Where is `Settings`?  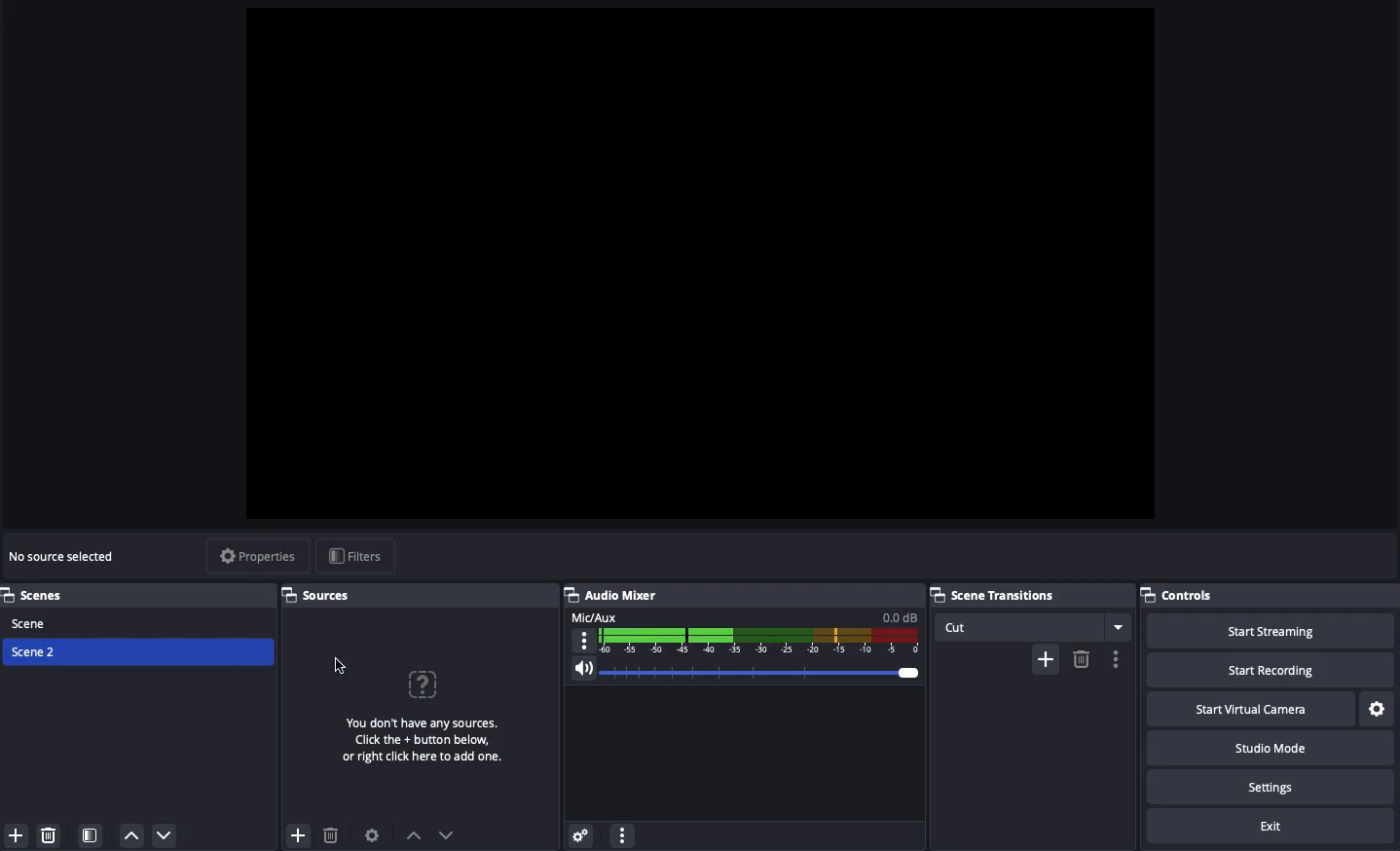
Settings is located at coordinates (1269, 786).